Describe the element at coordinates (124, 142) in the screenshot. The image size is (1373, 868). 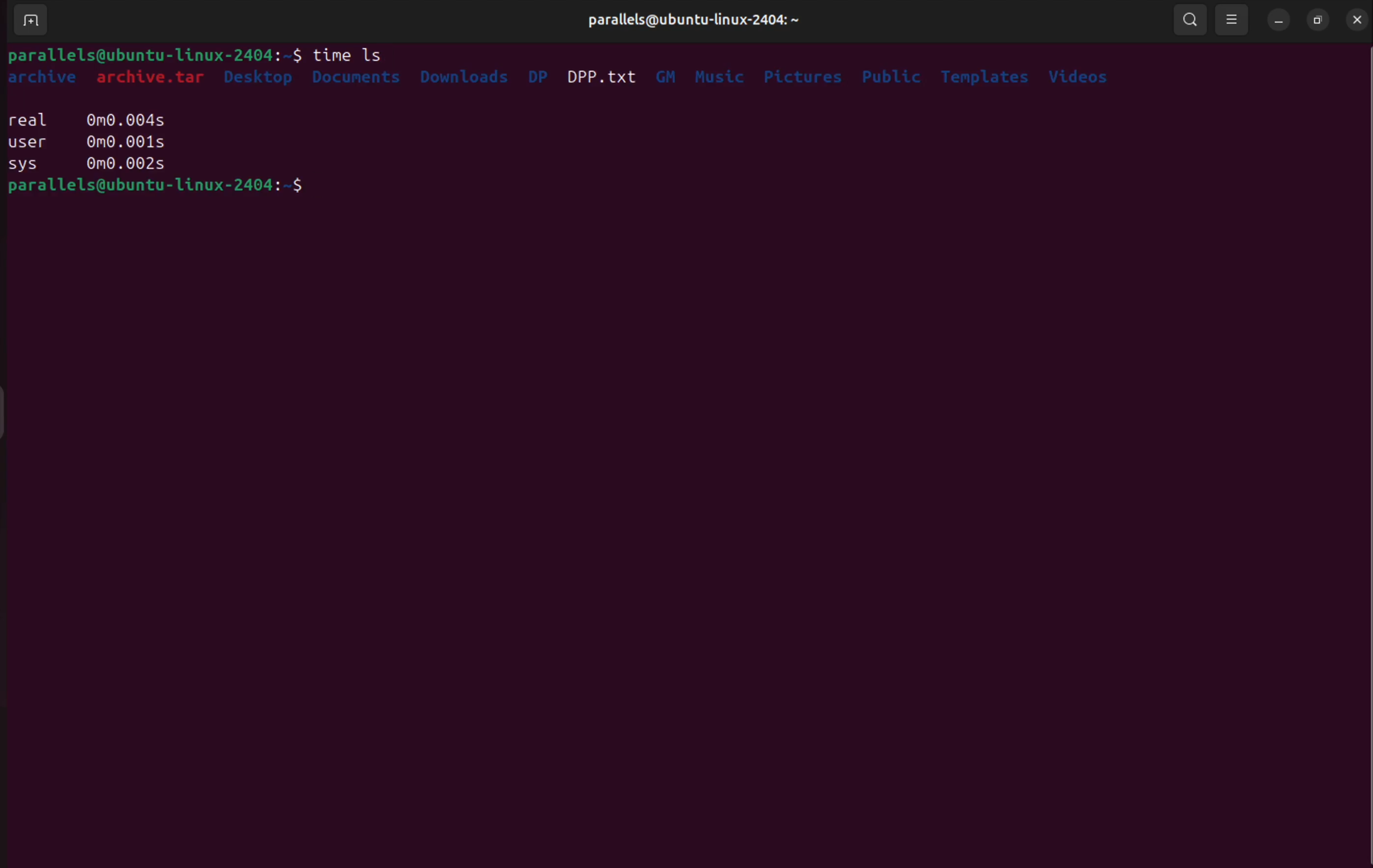
I see `0m0.001s` at that location.